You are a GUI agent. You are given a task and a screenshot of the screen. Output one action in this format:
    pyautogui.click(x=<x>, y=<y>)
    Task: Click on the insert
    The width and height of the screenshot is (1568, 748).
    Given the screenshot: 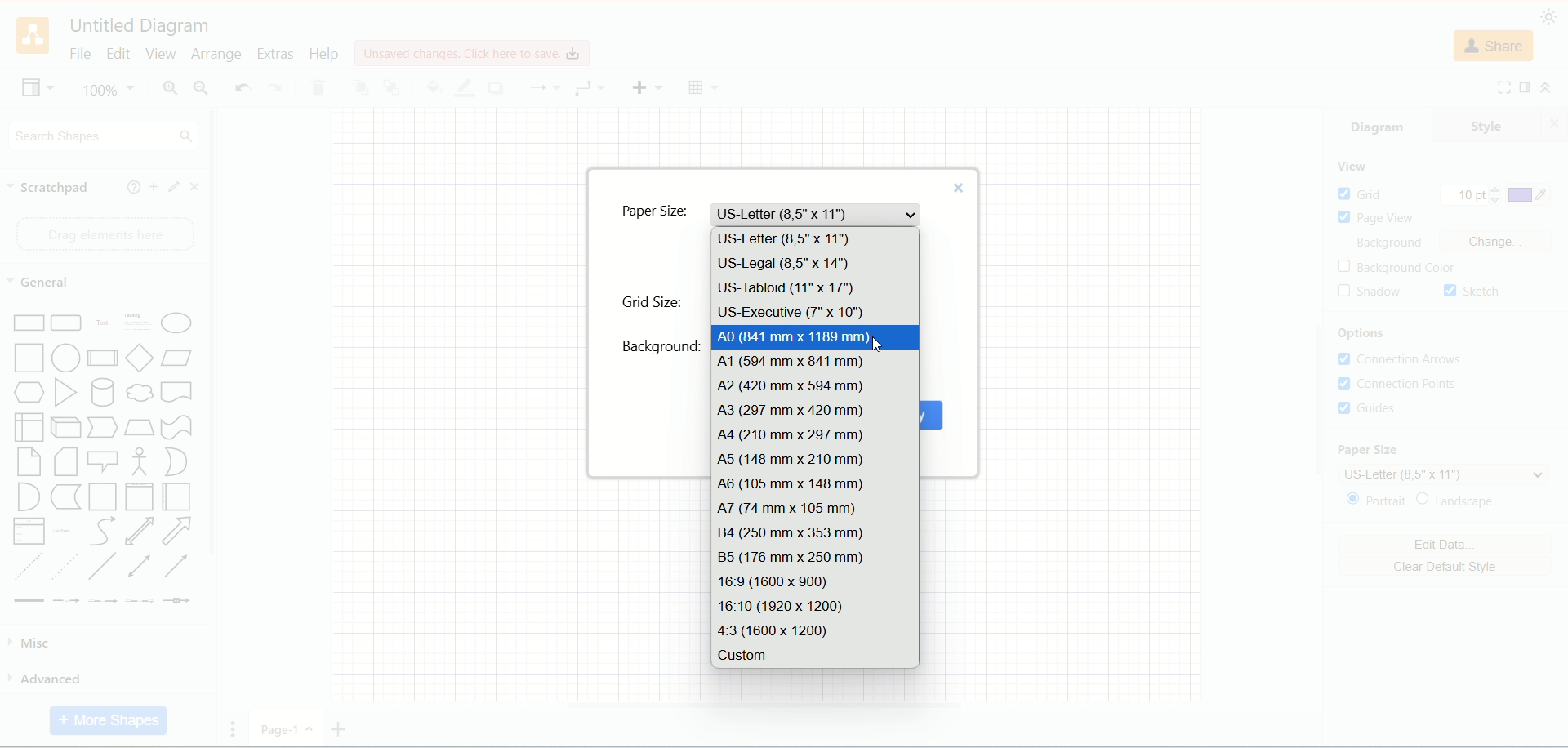 What is the action you would take?
    pyautogui.click(x=647, y=86)
    